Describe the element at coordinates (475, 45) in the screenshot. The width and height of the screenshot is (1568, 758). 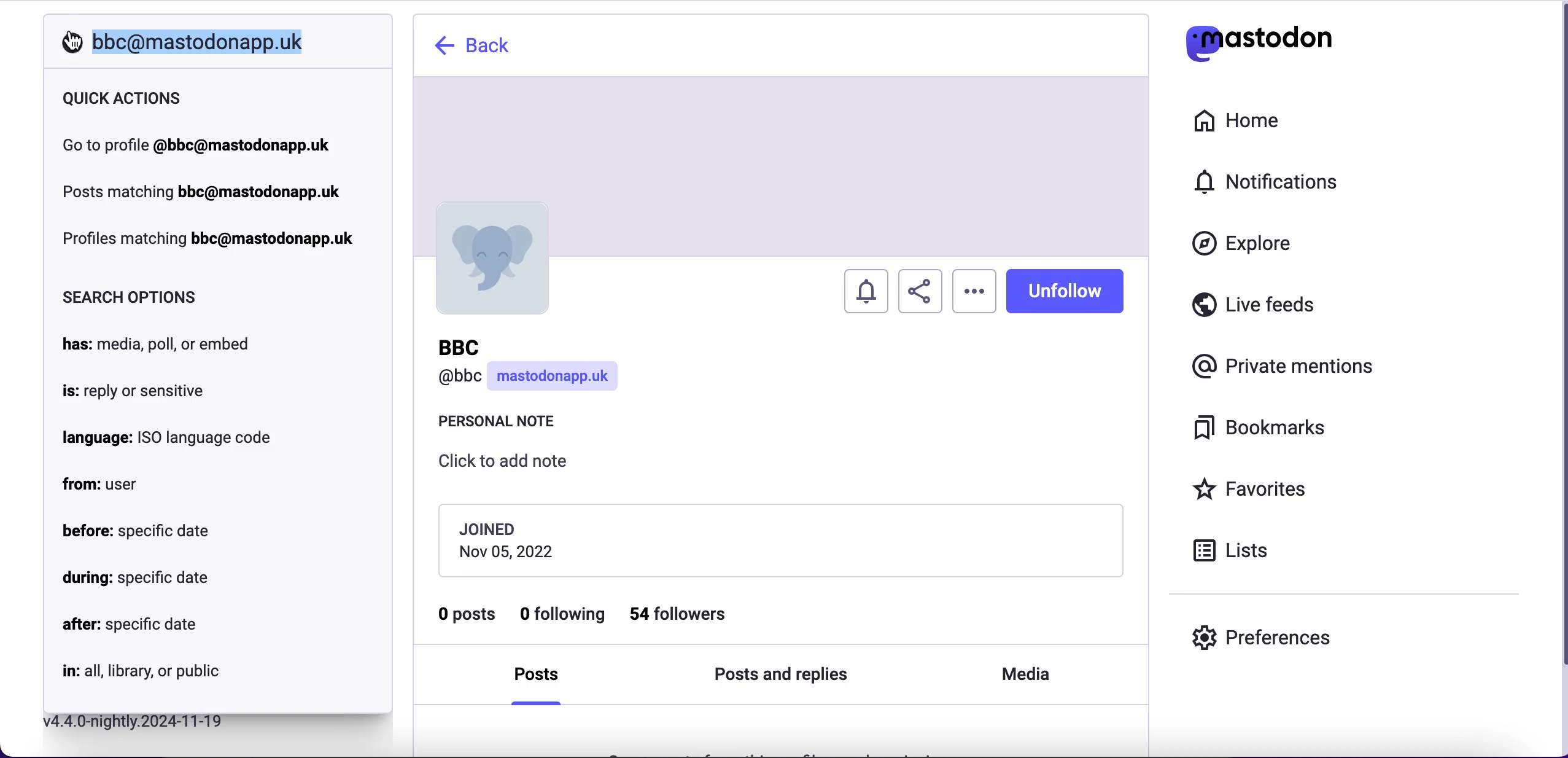
I see `back` at that location.